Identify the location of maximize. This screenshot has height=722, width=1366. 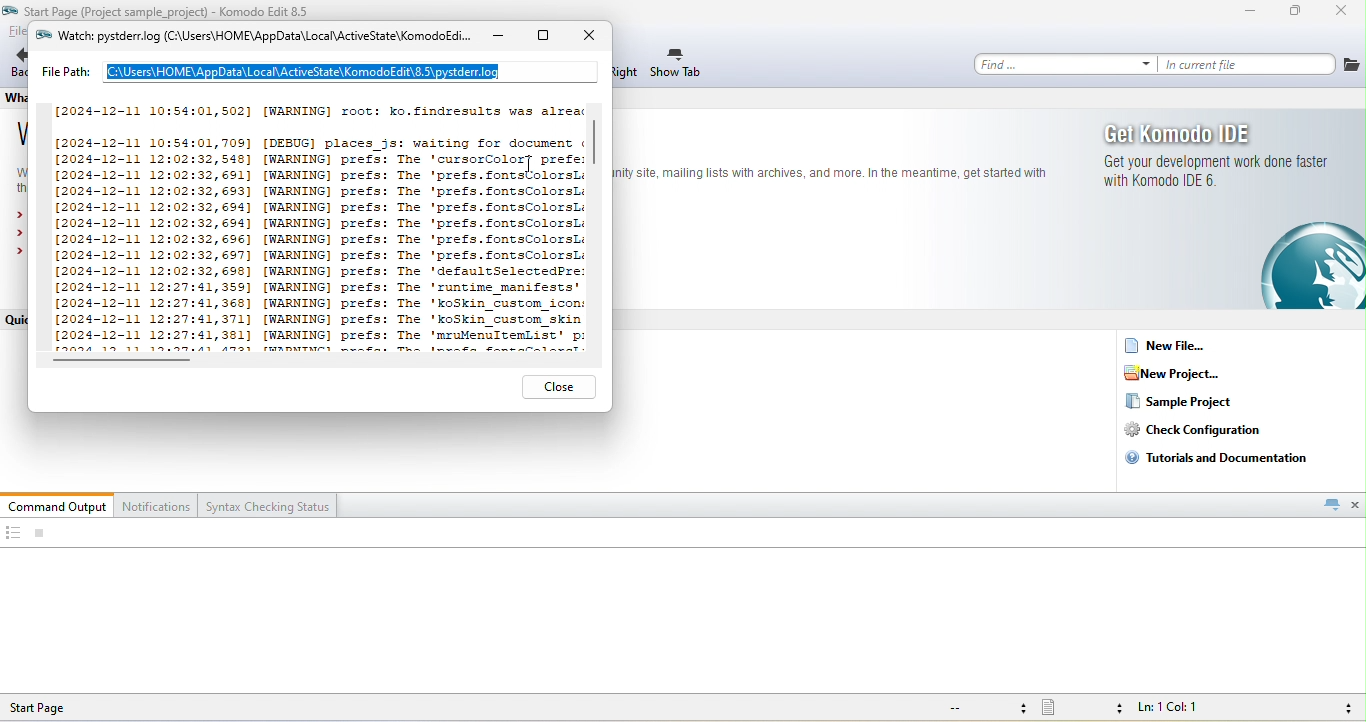
(543, 38).